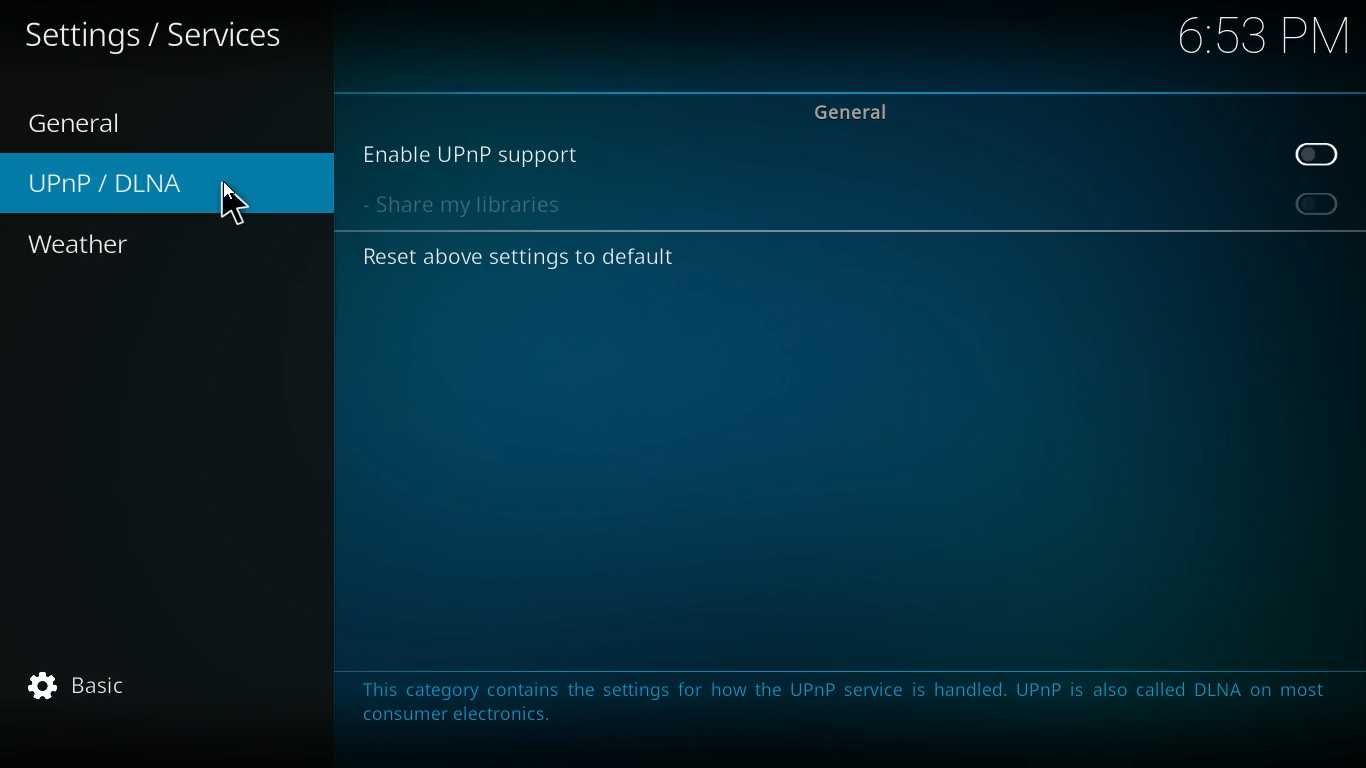  Describe the element at coordinates (520, 257) in the screenshot. I see `Reset Settings to default` at that location.